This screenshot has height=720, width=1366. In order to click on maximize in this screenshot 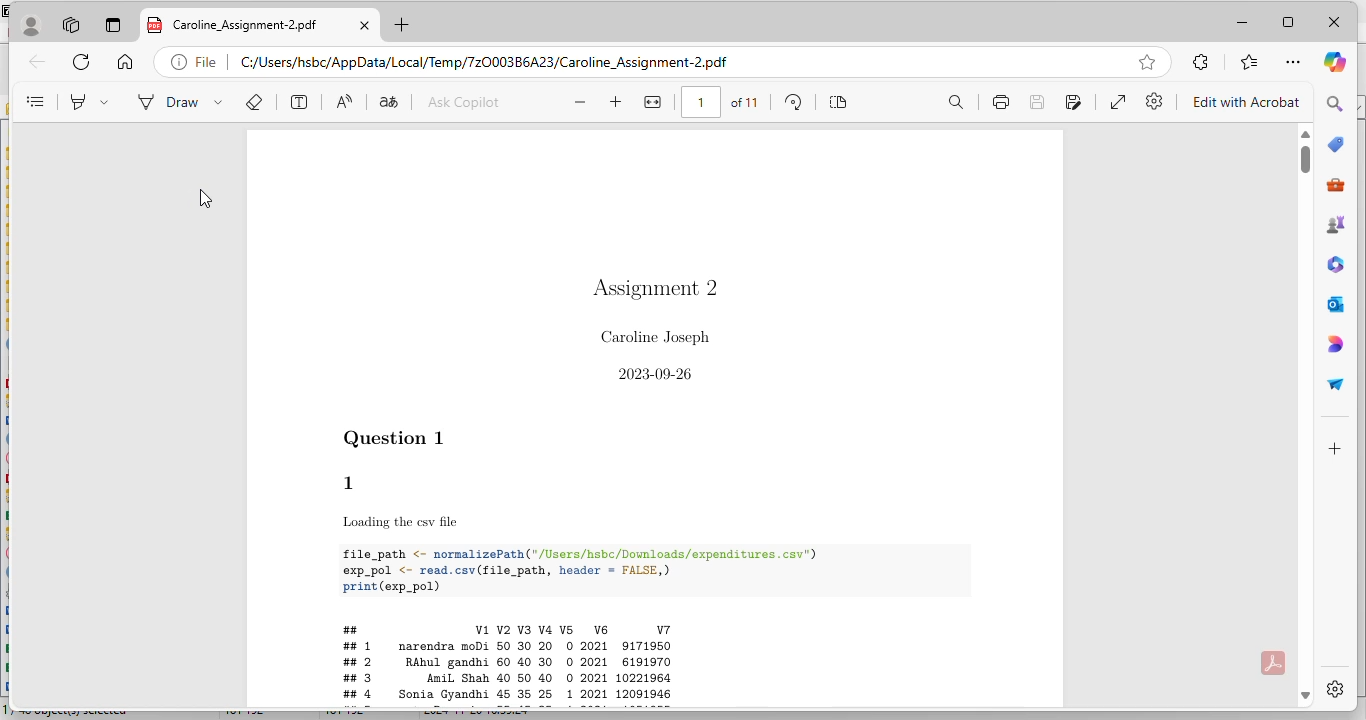, I will do `click(1289, 22)`.